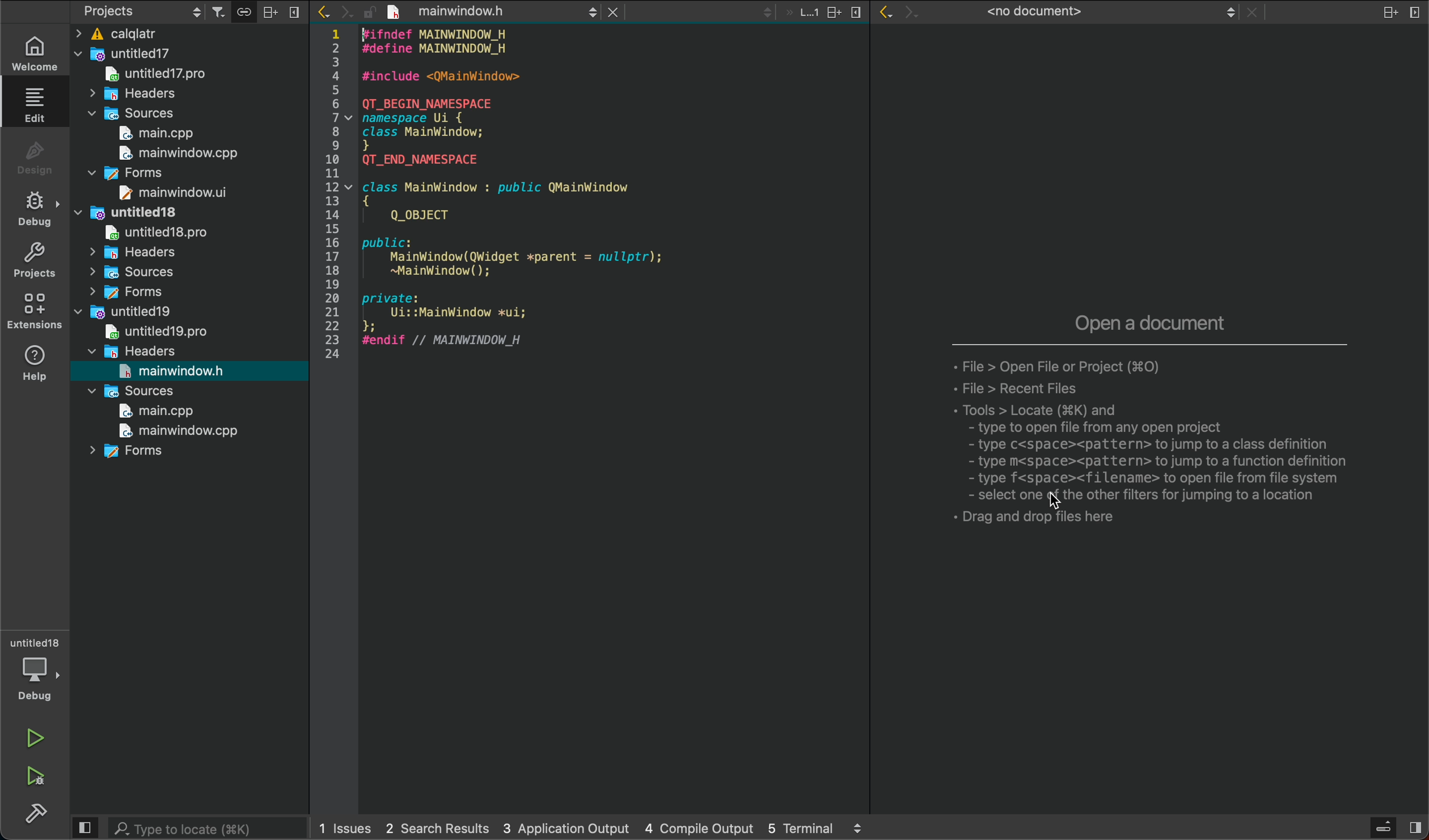 This screenshot has width=1429, height=840. I want to click on close slide bar, so click(285, 12).